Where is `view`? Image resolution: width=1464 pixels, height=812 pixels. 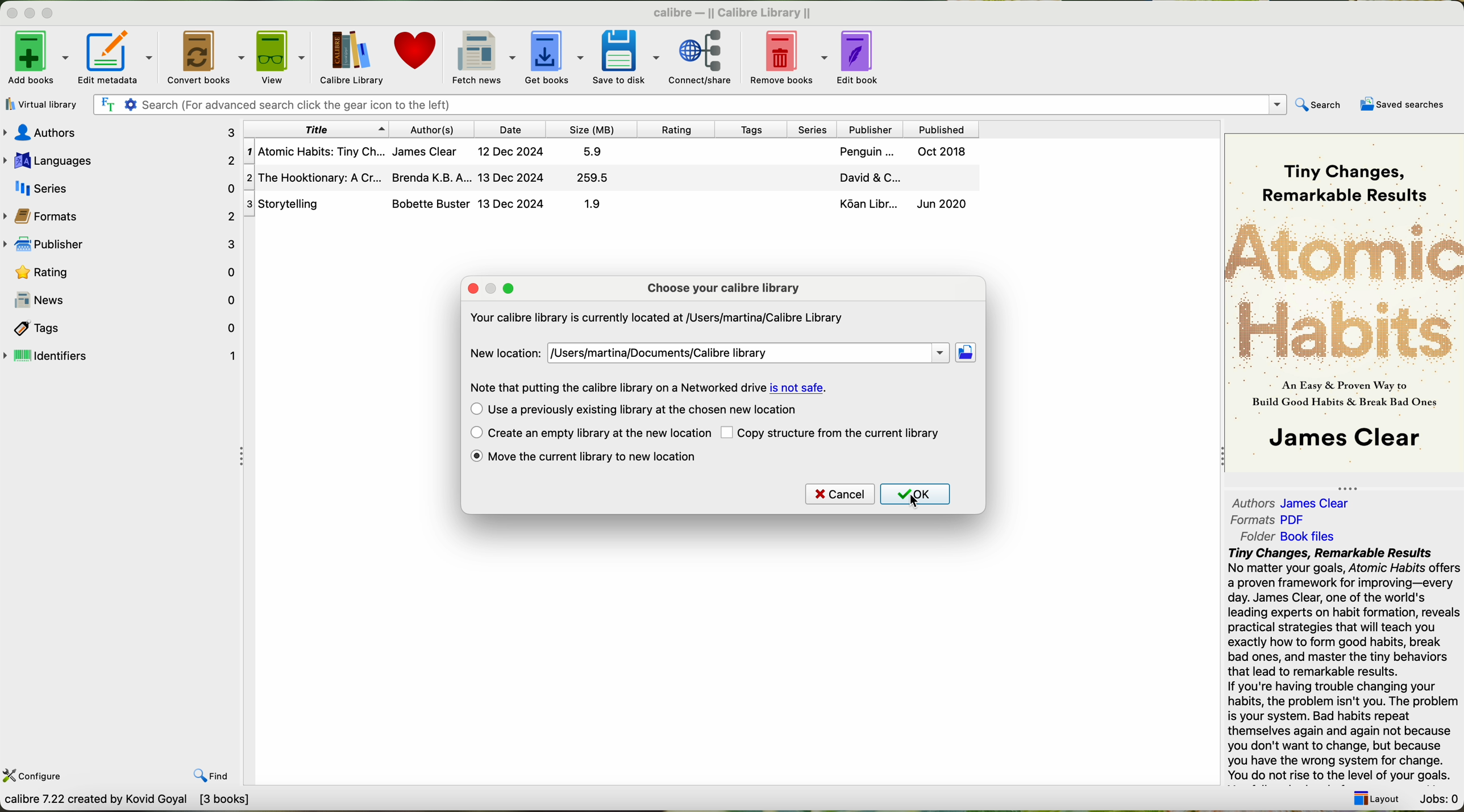 view is located at coordinates (284, 57).